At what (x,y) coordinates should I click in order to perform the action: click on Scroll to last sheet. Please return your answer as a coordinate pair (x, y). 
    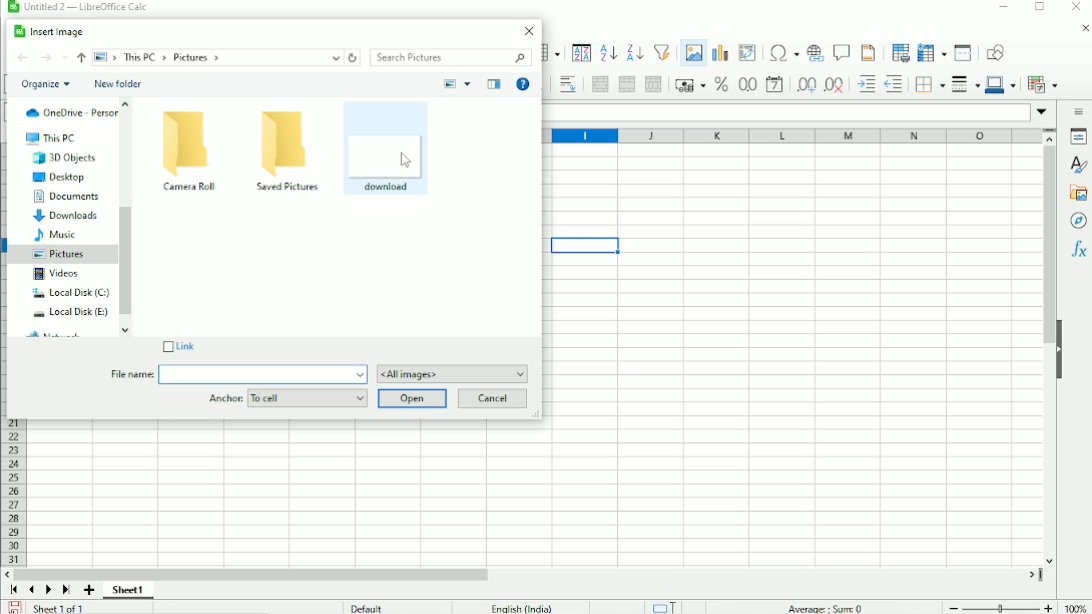
    Looking at the image, I should click on (67, 590).